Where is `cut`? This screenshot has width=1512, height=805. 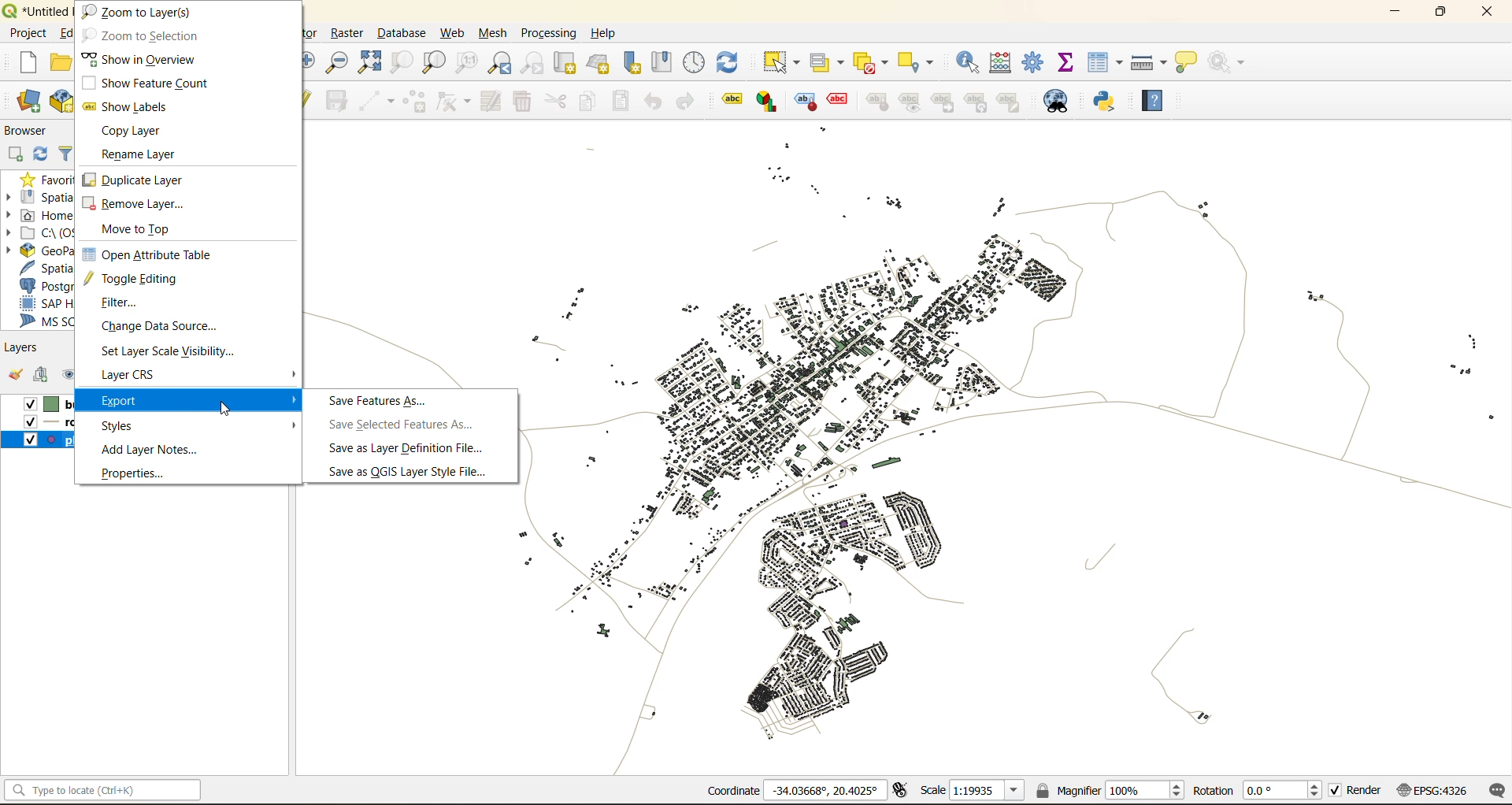
cut is located at coordinates (557, 101).